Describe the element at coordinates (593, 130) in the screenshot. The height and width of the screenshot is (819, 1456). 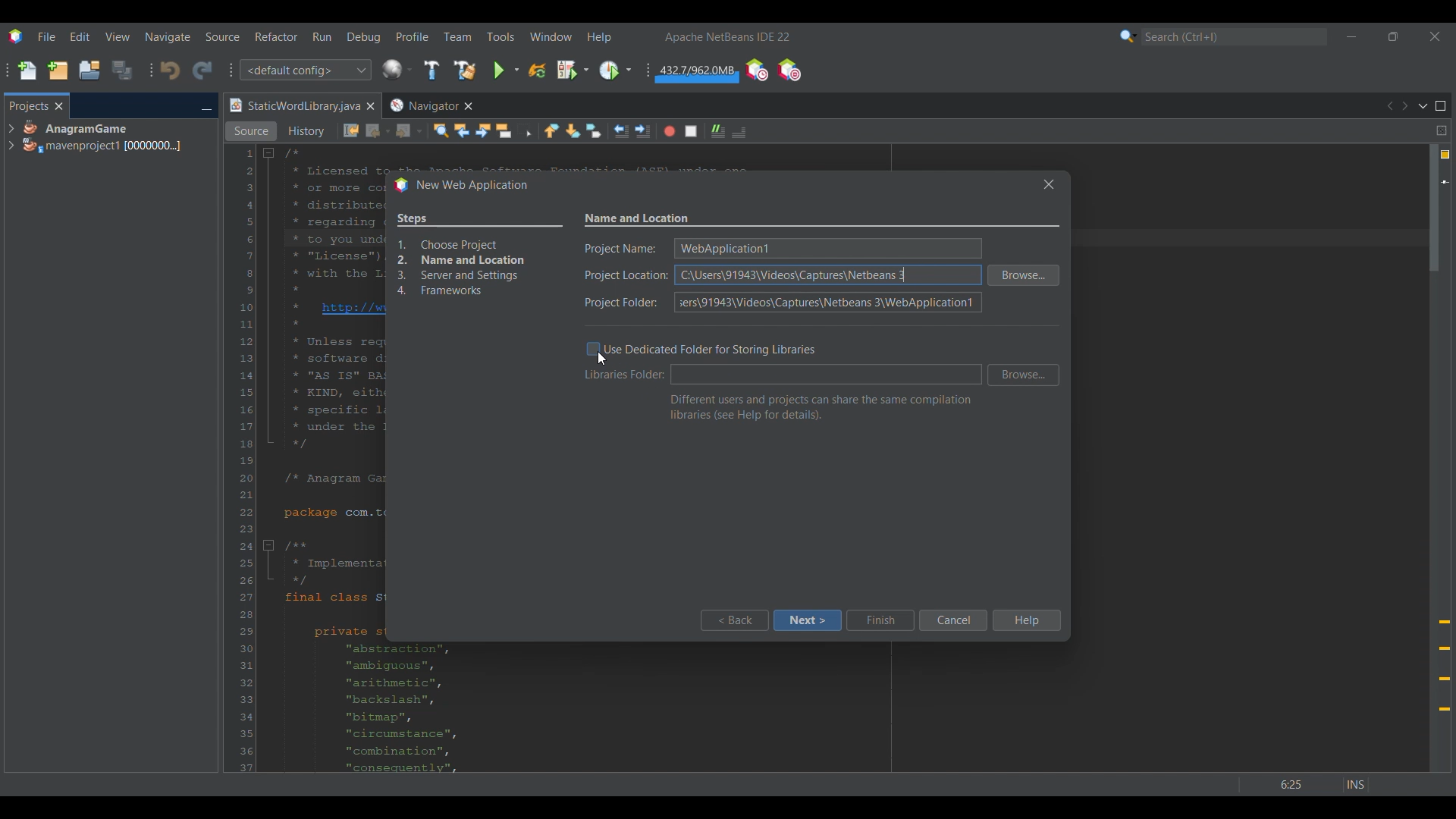
I see `Toggle bookmarks` at that location.